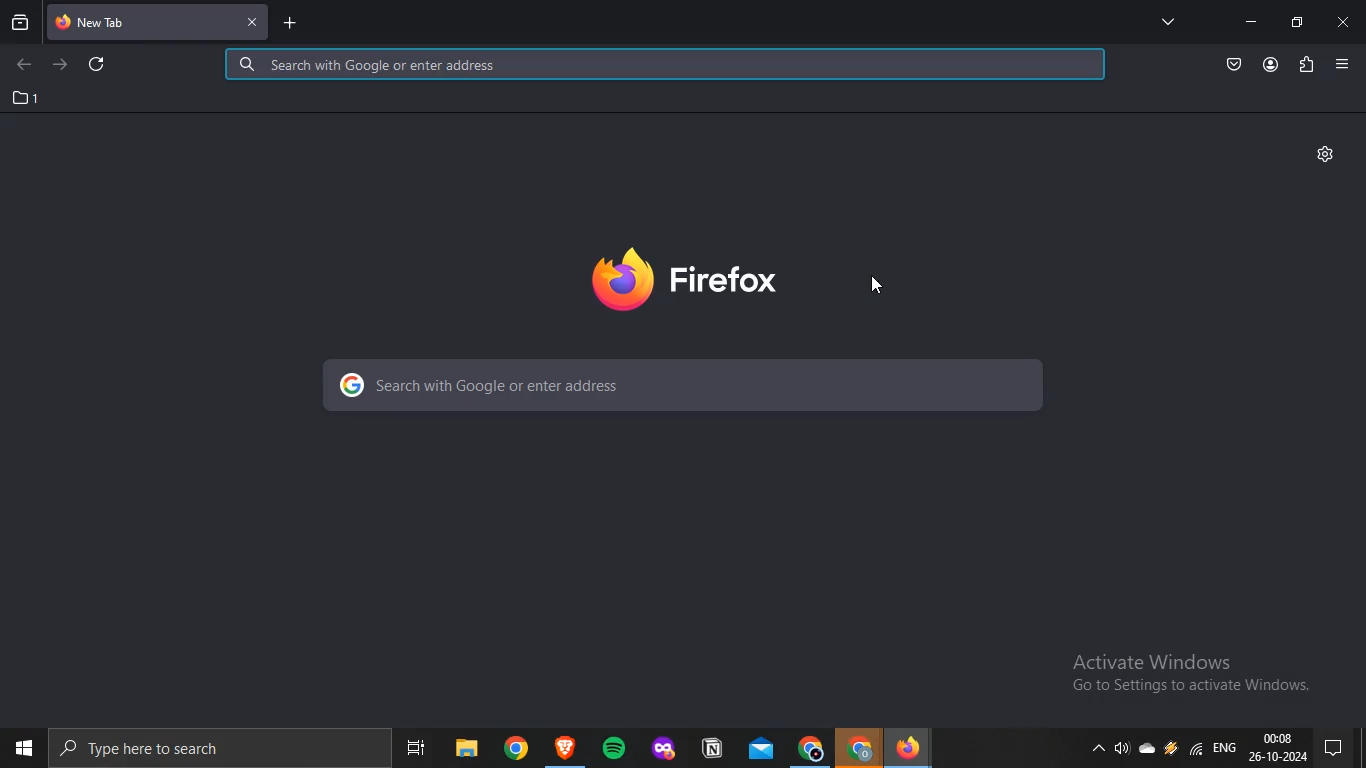  I want to click on firefox logo, so click(686, 279).